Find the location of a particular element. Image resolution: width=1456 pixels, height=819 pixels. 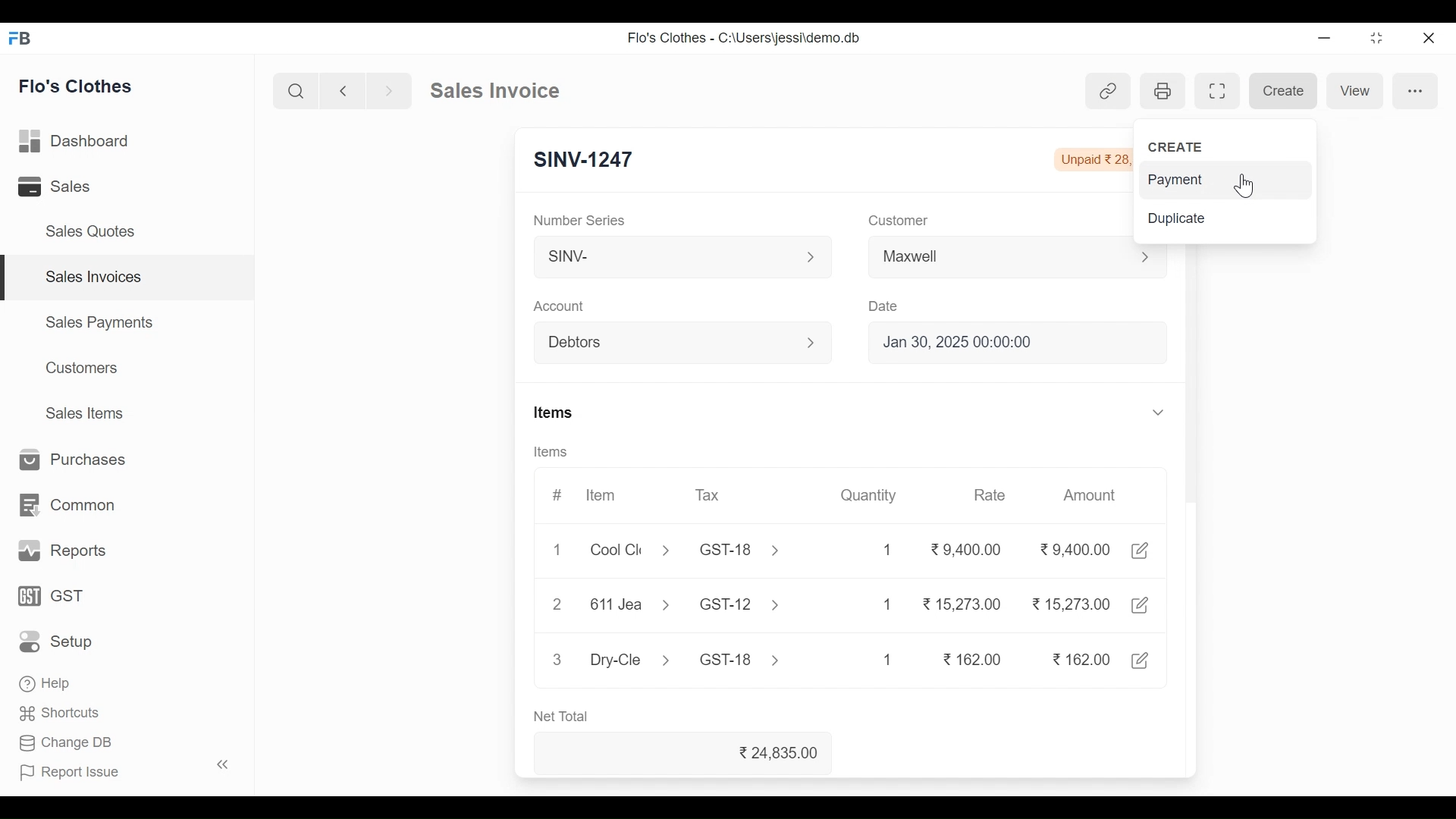

Reports is located at coordinates (59, 551).